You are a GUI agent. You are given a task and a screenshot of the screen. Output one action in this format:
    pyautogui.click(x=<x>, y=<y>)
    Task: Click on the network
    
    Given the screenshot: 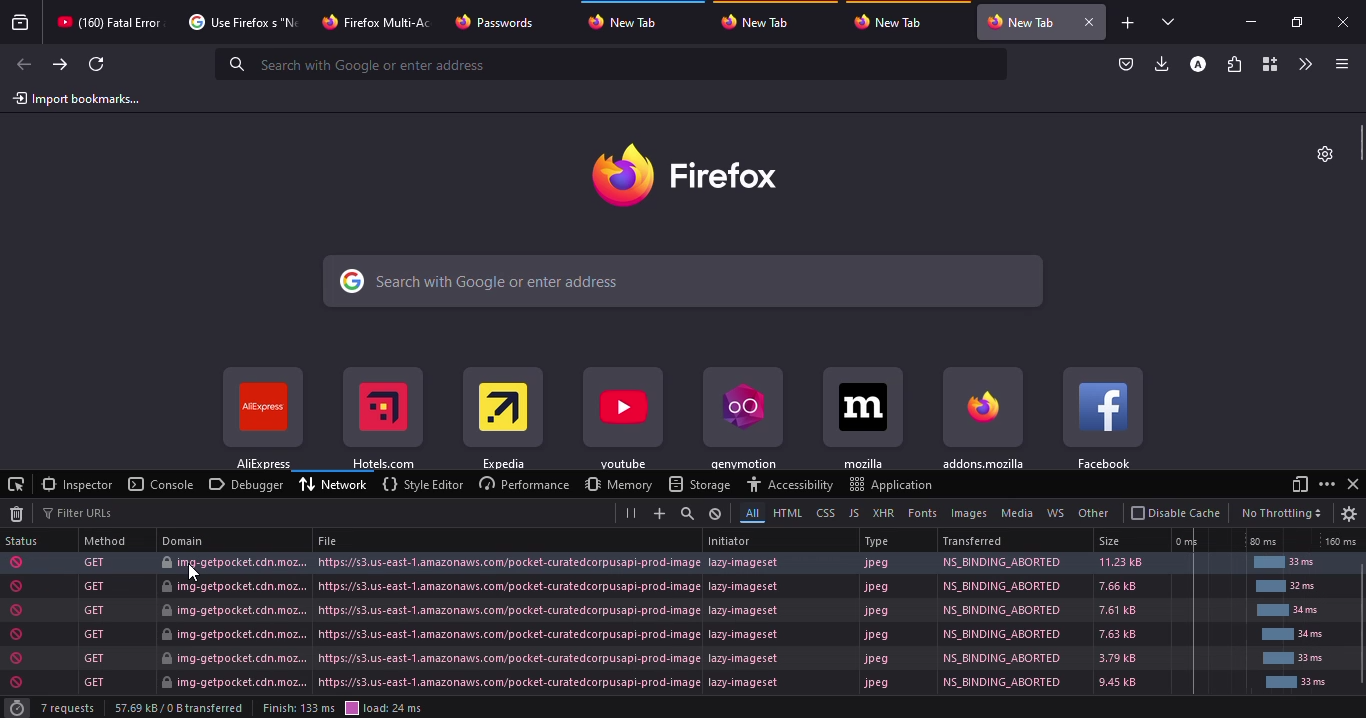 What is the action you would take?
    pyautogui.click(x=335, y=483)
    